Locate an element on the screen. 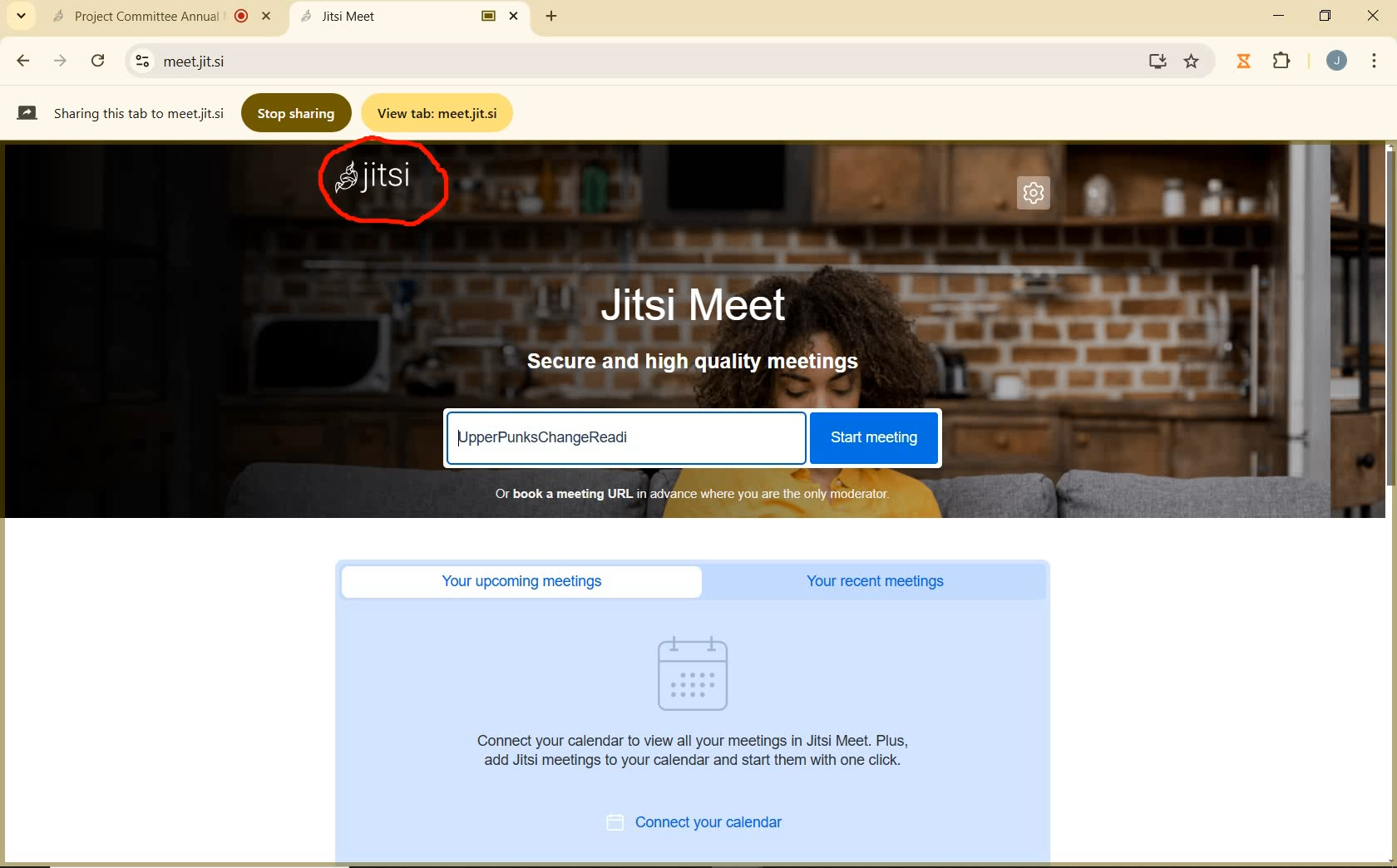 The image size is (1397, 868). FORWARD is located at coordinates (62, 61).